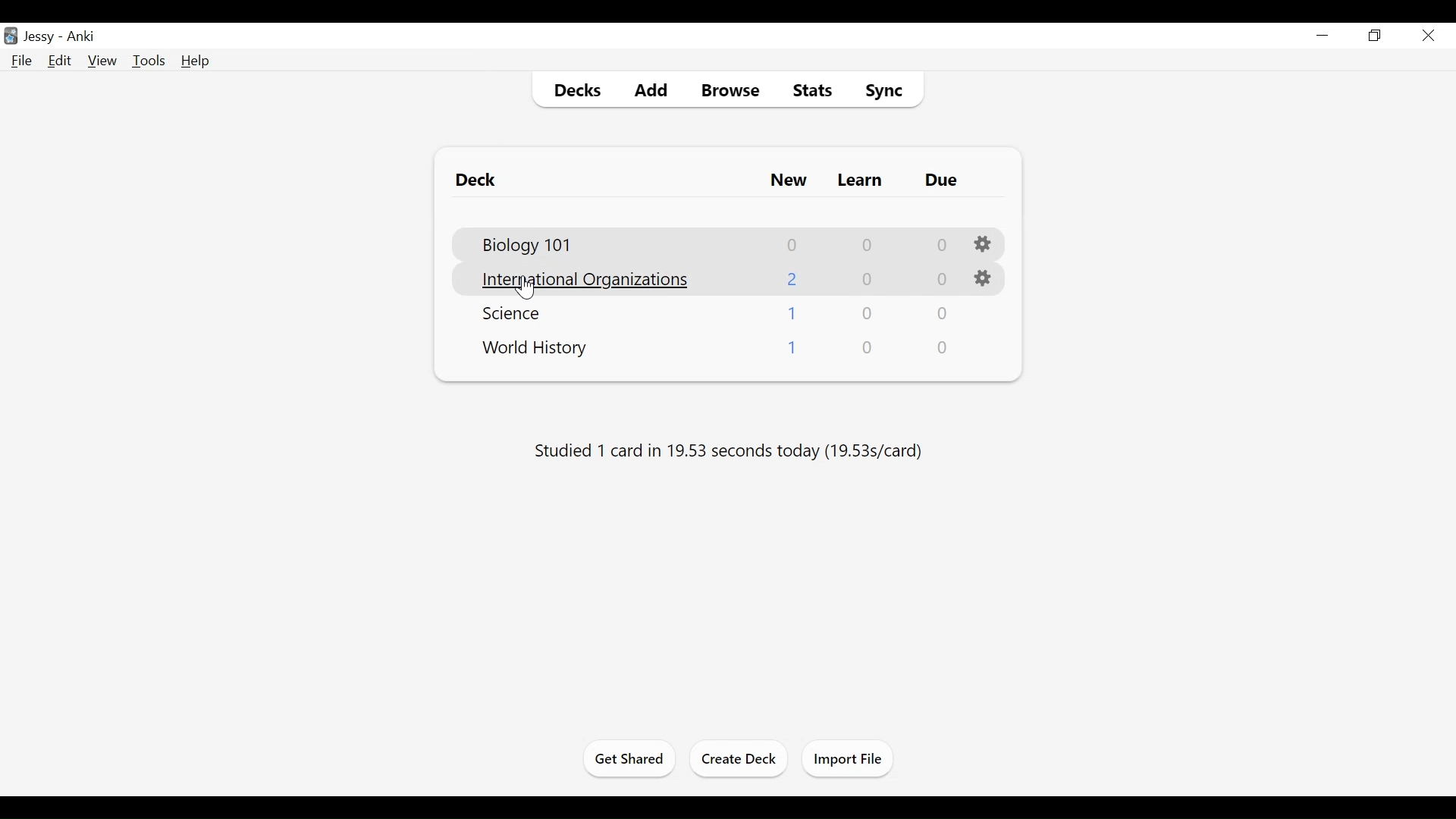  Describe the element at coordinates (61, 61) in the screenshot. I see `Edit` at that location.